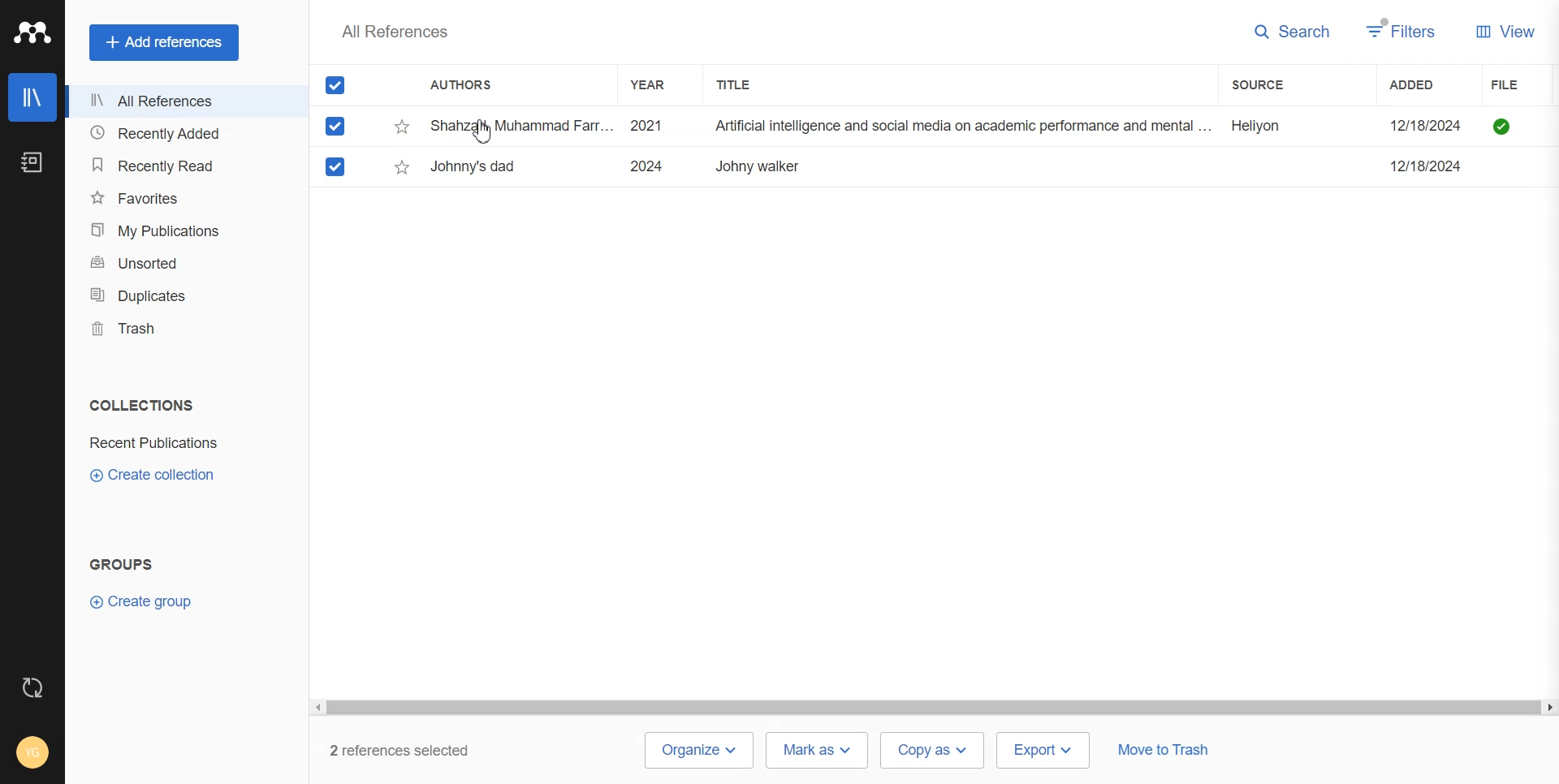 This screenshot has width=1559, height=784. What do you see at coordinates (1293, 32) in the screenshot?
I see `Search` at bounding box center [1293, 32].